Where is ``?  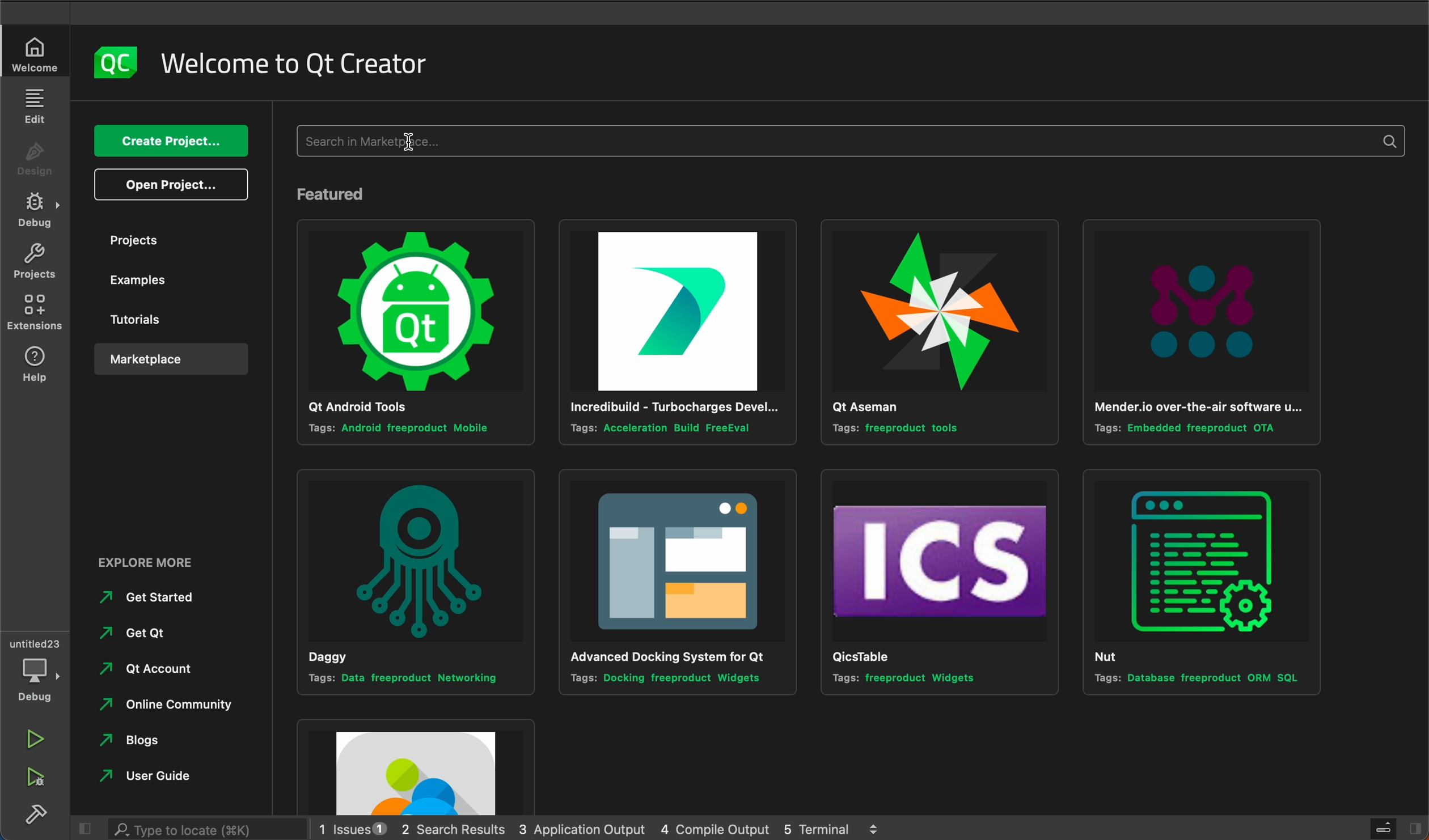
 is located at coordinates (1201, 582).